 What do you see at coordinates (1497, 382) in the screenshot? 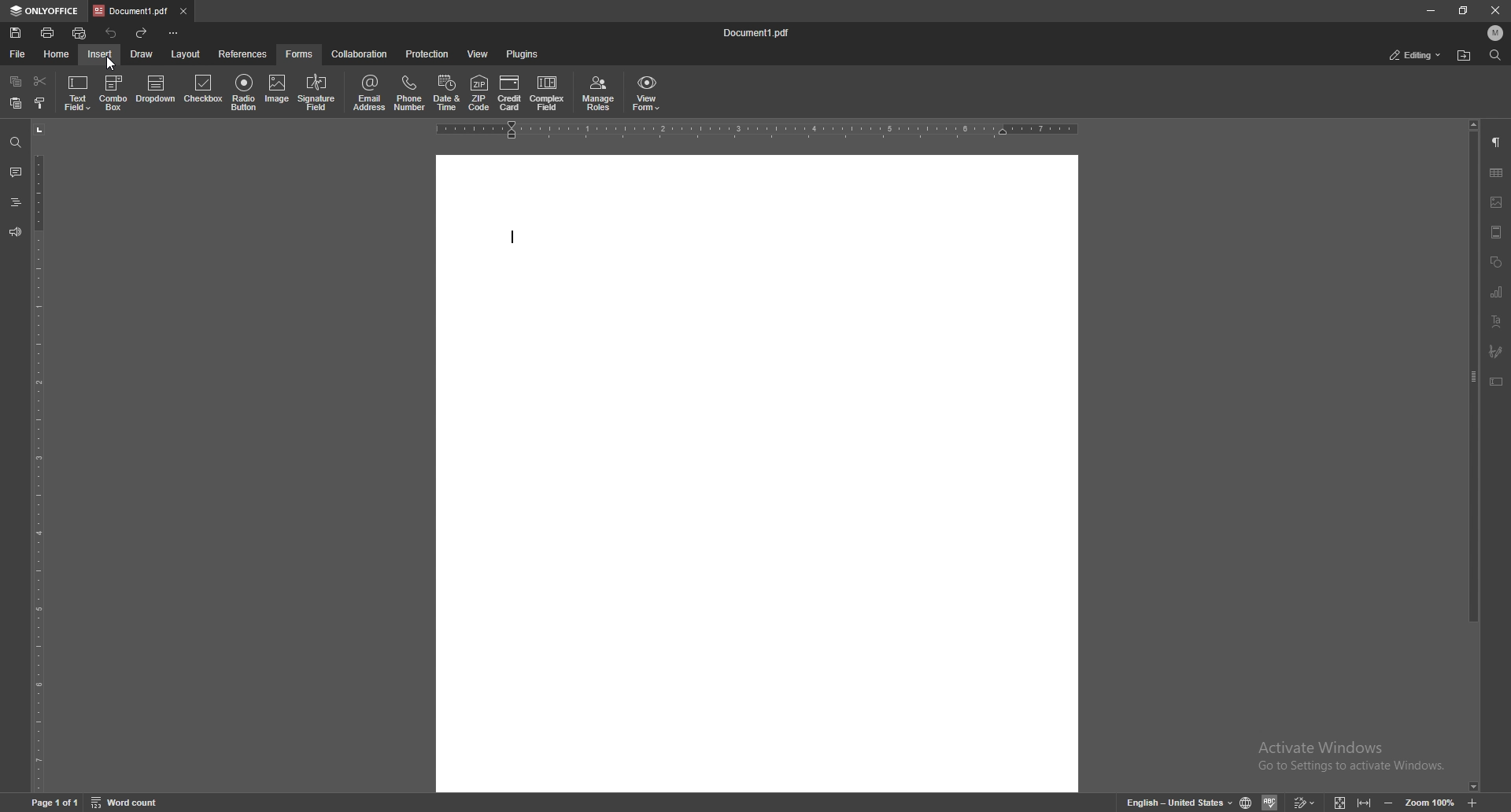
I see `text box` at bounding box center [1497, 382].